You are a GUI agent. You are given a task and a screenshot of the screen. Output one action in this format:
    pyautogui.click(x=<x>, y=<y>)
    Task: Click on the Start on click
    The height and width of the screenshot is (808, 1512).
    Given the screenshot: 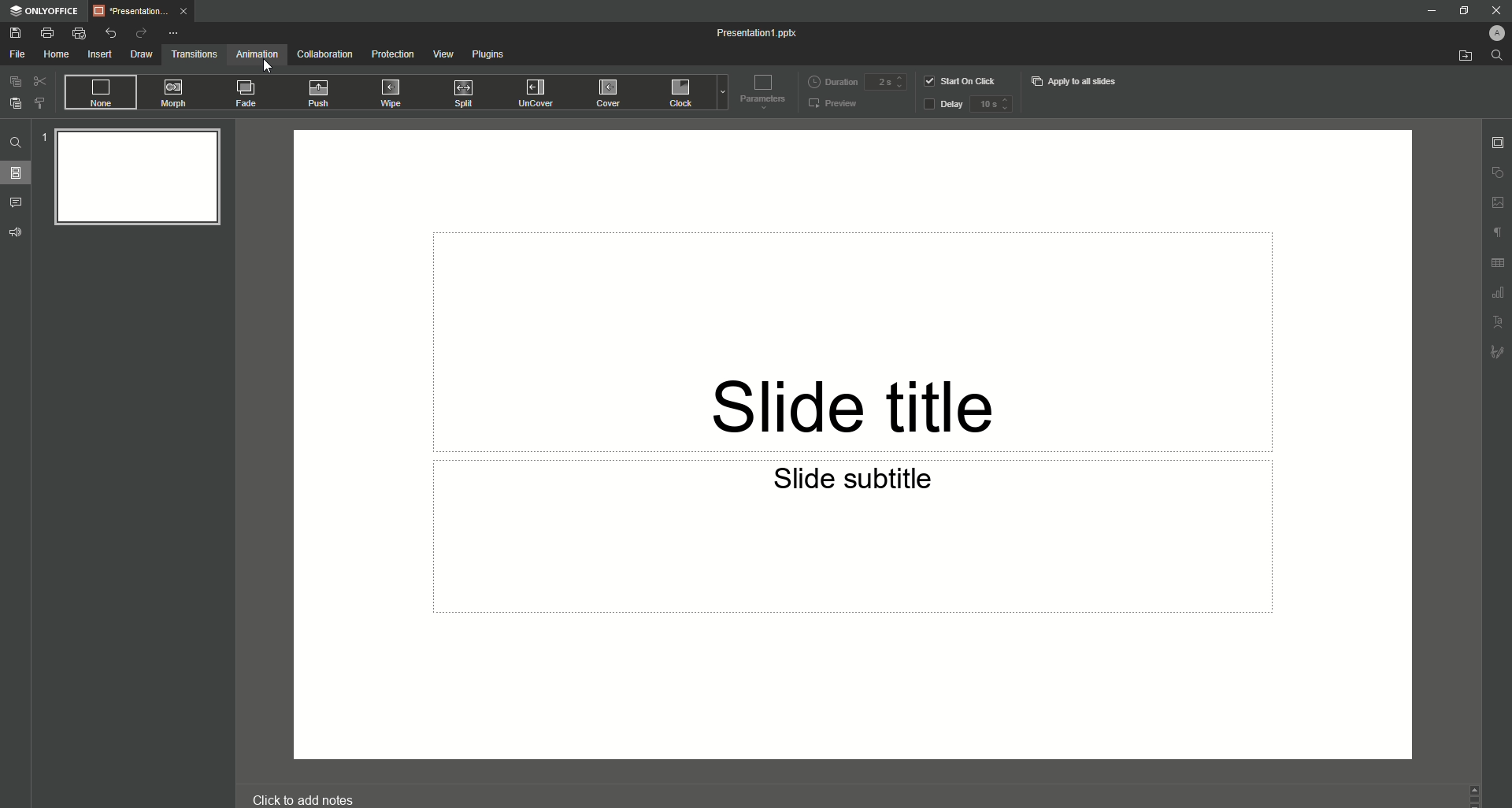 What is the action you would take?
    pyautogui.click(x=962, y=81)
    